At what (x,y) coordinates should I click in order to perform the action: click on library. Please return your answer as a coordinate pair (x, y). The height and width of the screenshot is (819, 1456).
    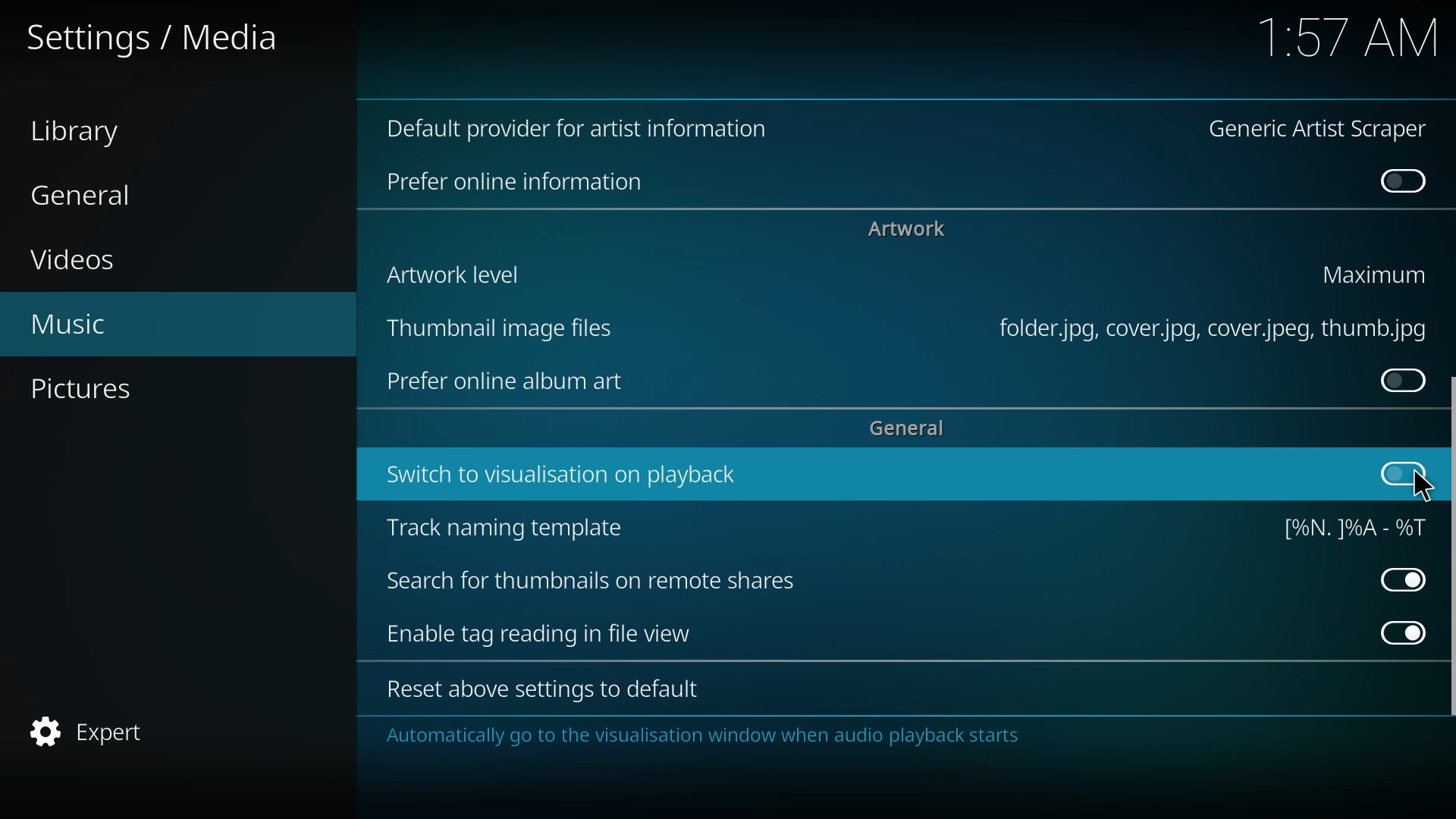
    Looking at the image, I should click on (85, 133).